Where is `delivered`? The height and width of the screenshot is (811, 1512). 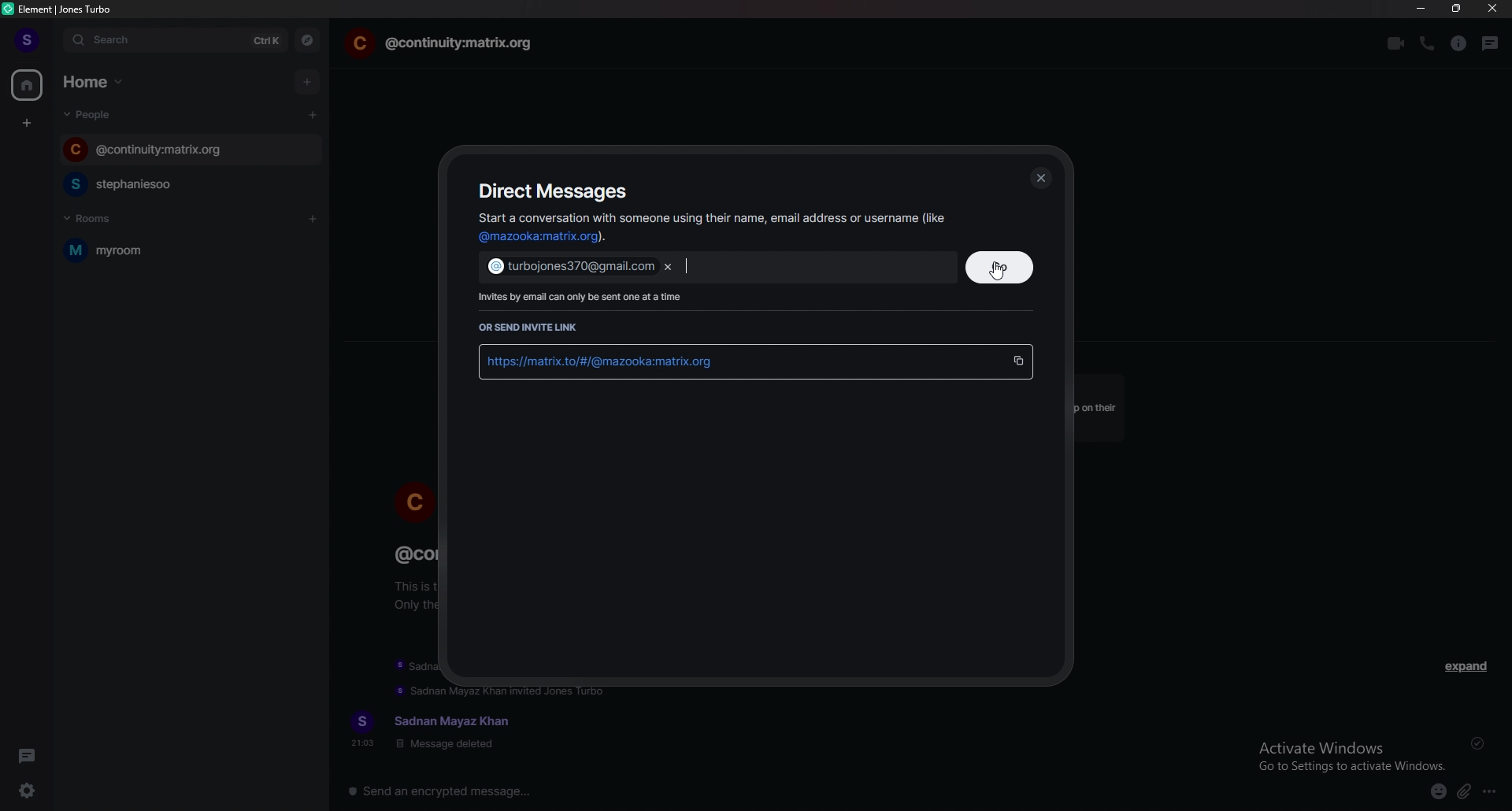 delivered is located at coordinates (1479, 743).